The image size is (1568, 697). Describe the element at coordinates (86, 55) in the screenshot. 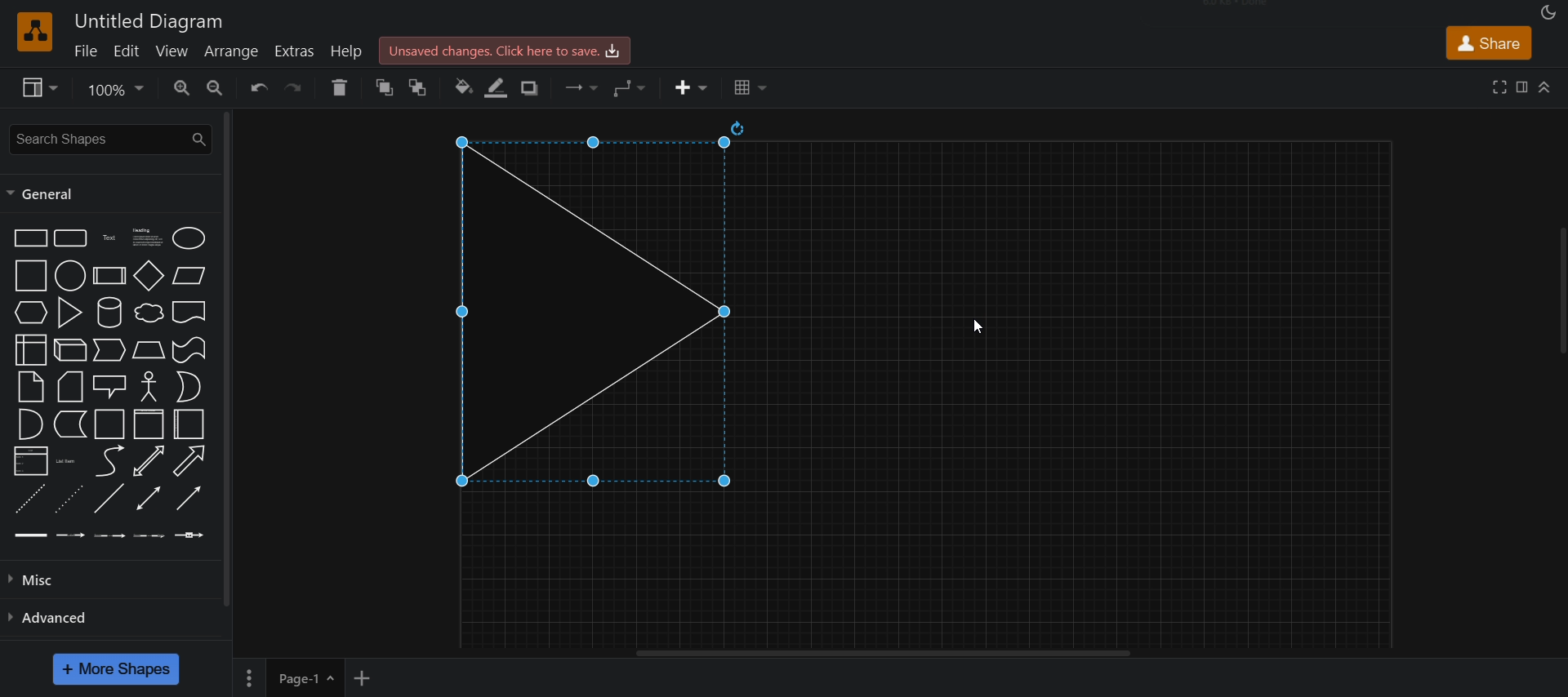

I see `file` at that location.